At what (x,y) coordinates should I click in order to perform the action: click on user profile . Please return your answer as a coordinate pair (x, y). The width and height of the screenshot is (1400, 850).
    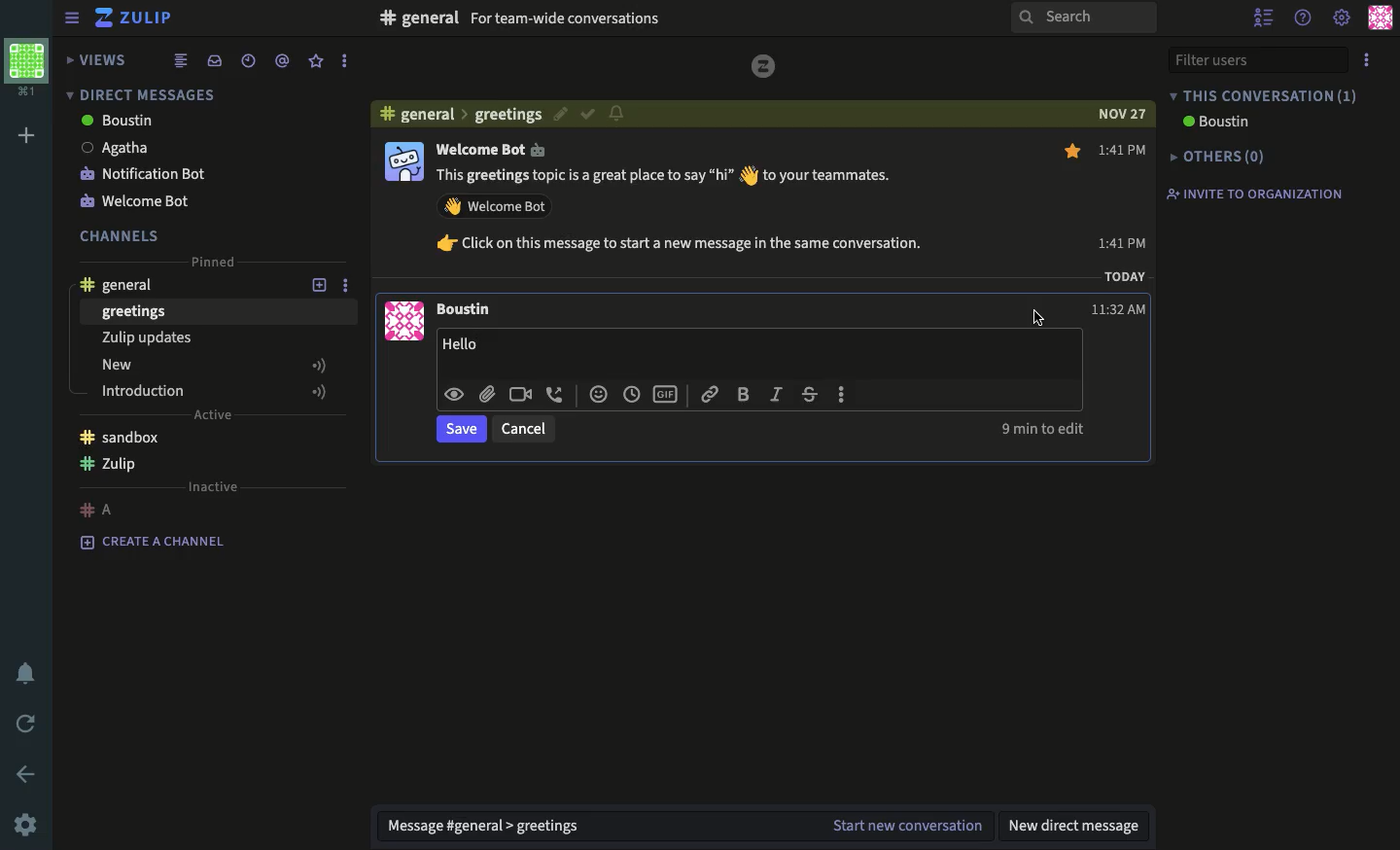
    Looking at the image, I should click on (398, 243).